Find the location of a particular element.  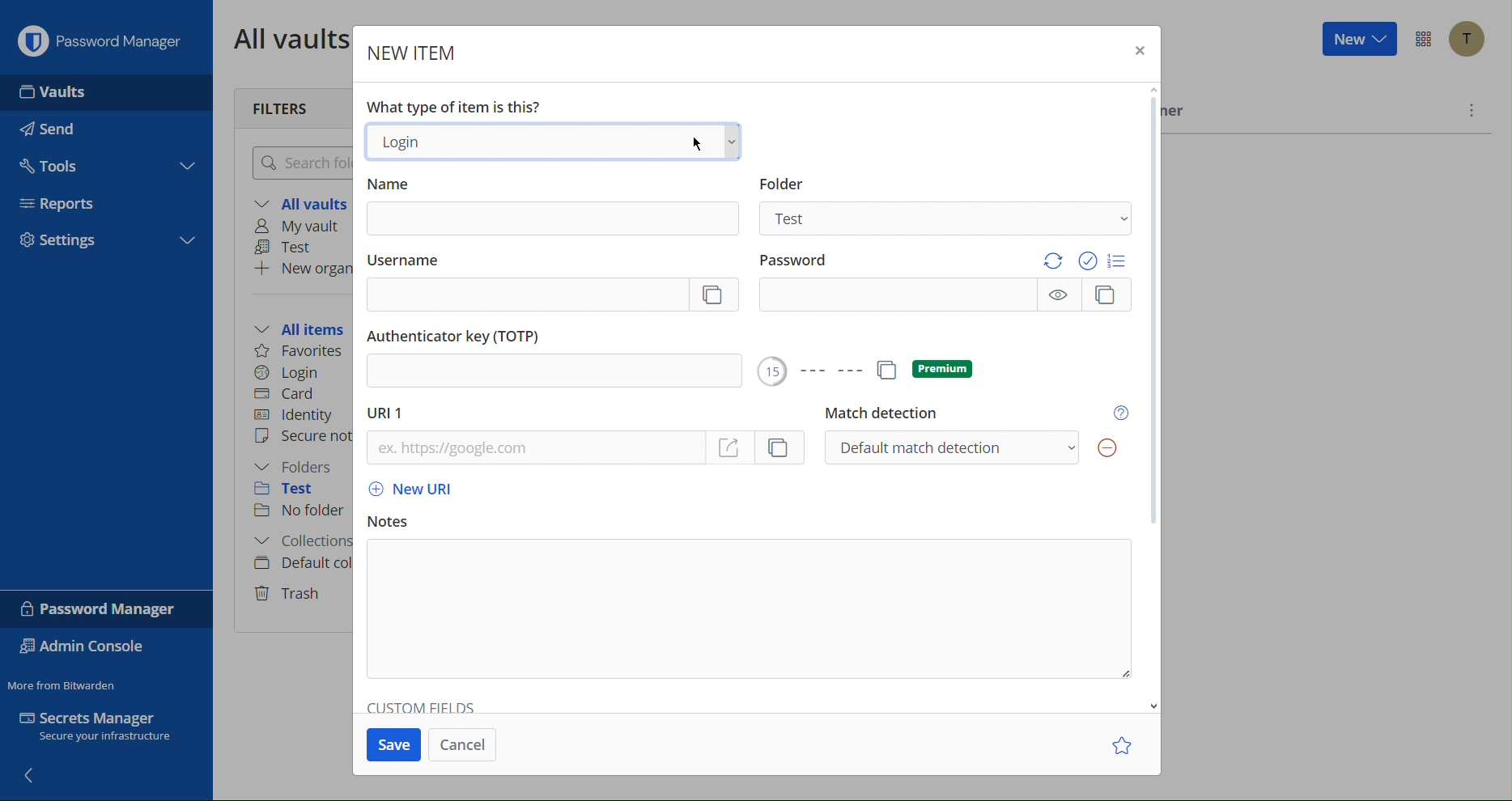

Password Manager is located at coordinates (110, 42).